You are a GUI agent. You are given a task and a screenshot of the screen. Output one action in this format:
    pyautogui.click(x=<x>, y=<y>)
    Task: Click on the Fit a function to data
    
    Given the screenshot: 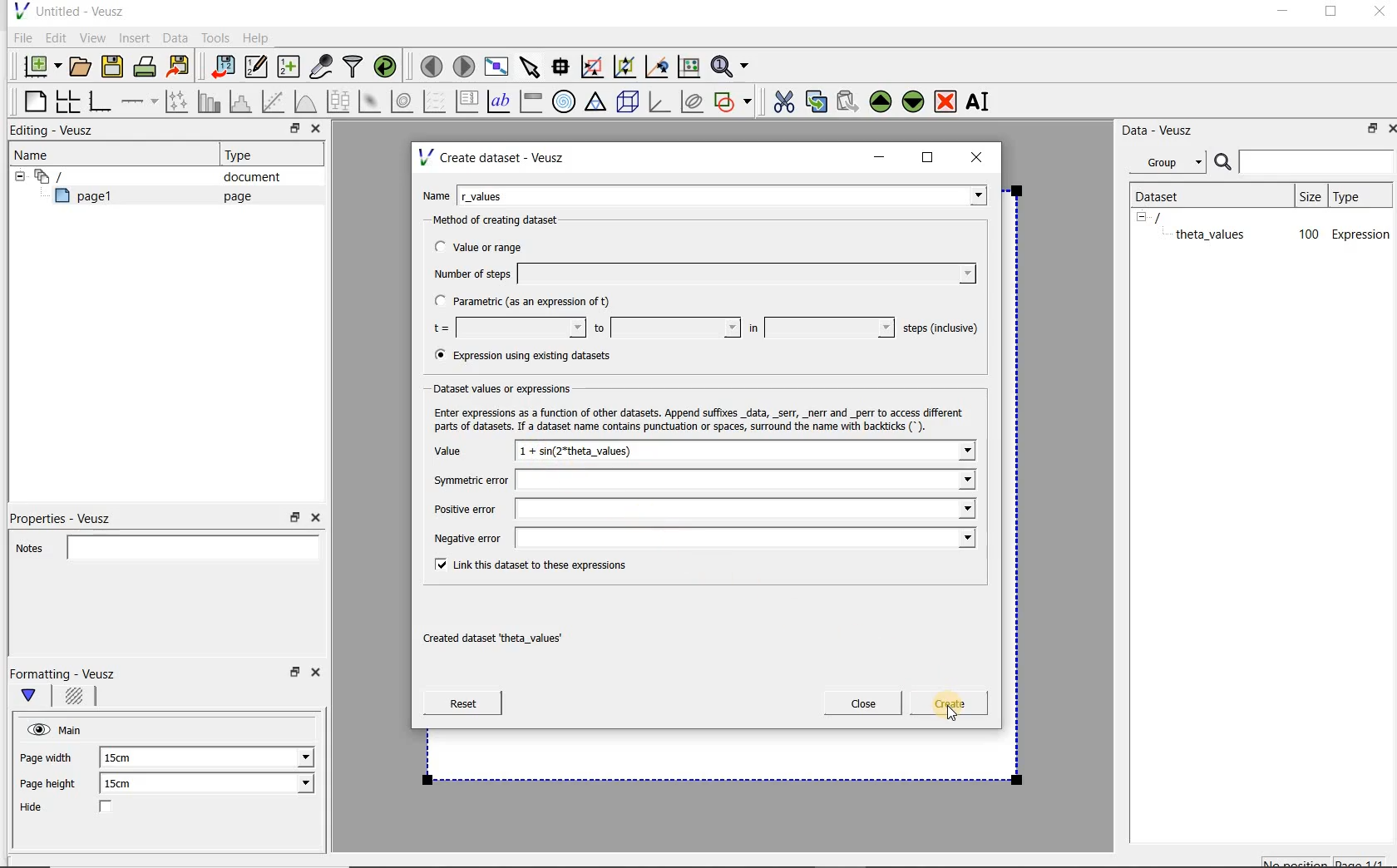 What is the action you would take?
    pyautogui.click(x=275, y=101)
    